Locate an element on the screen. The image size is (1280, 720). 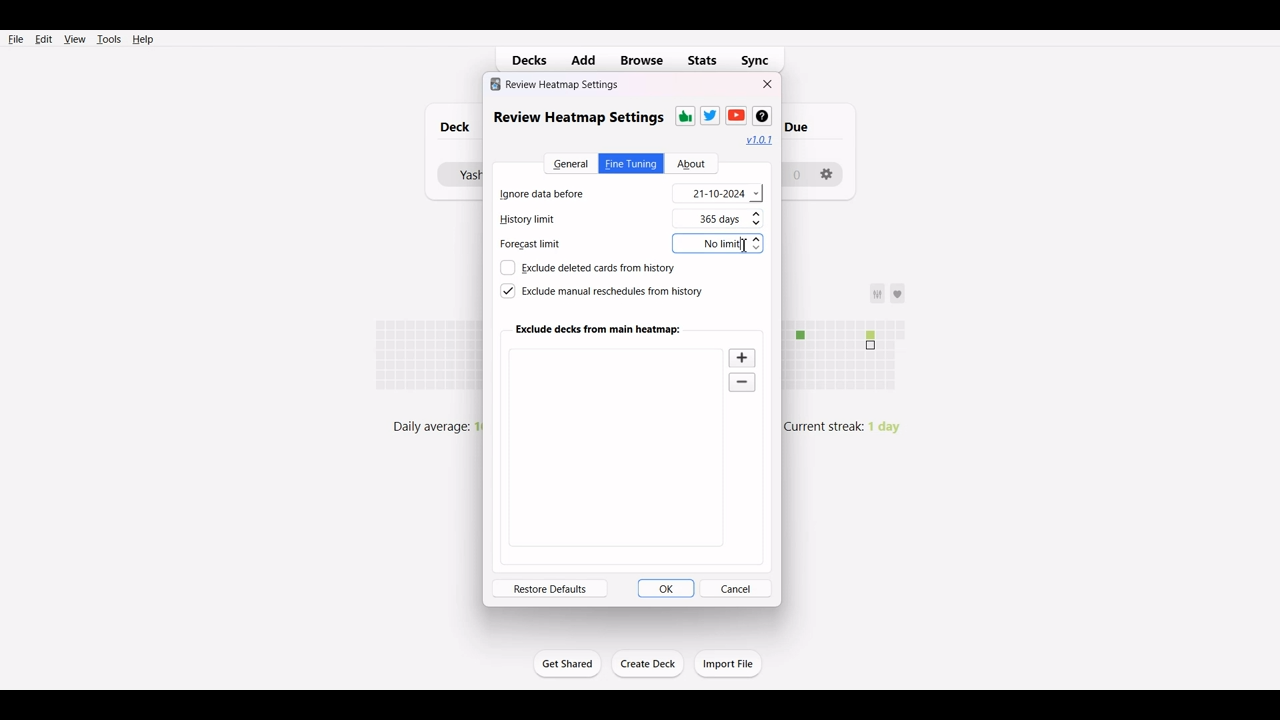
View is located at coordinates (74, 39).